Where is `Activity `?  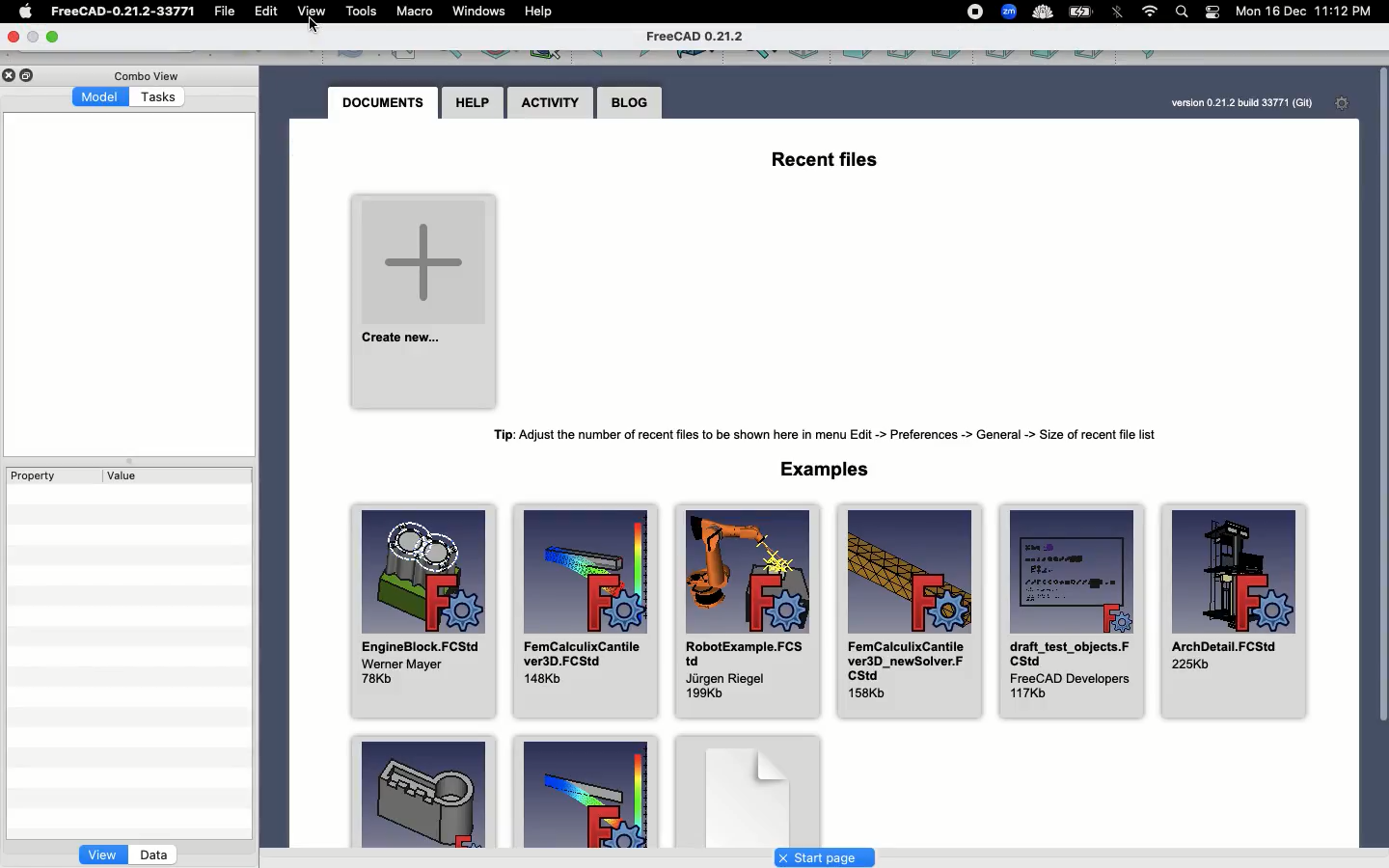
Activity  is located at coordinates (551, 103).